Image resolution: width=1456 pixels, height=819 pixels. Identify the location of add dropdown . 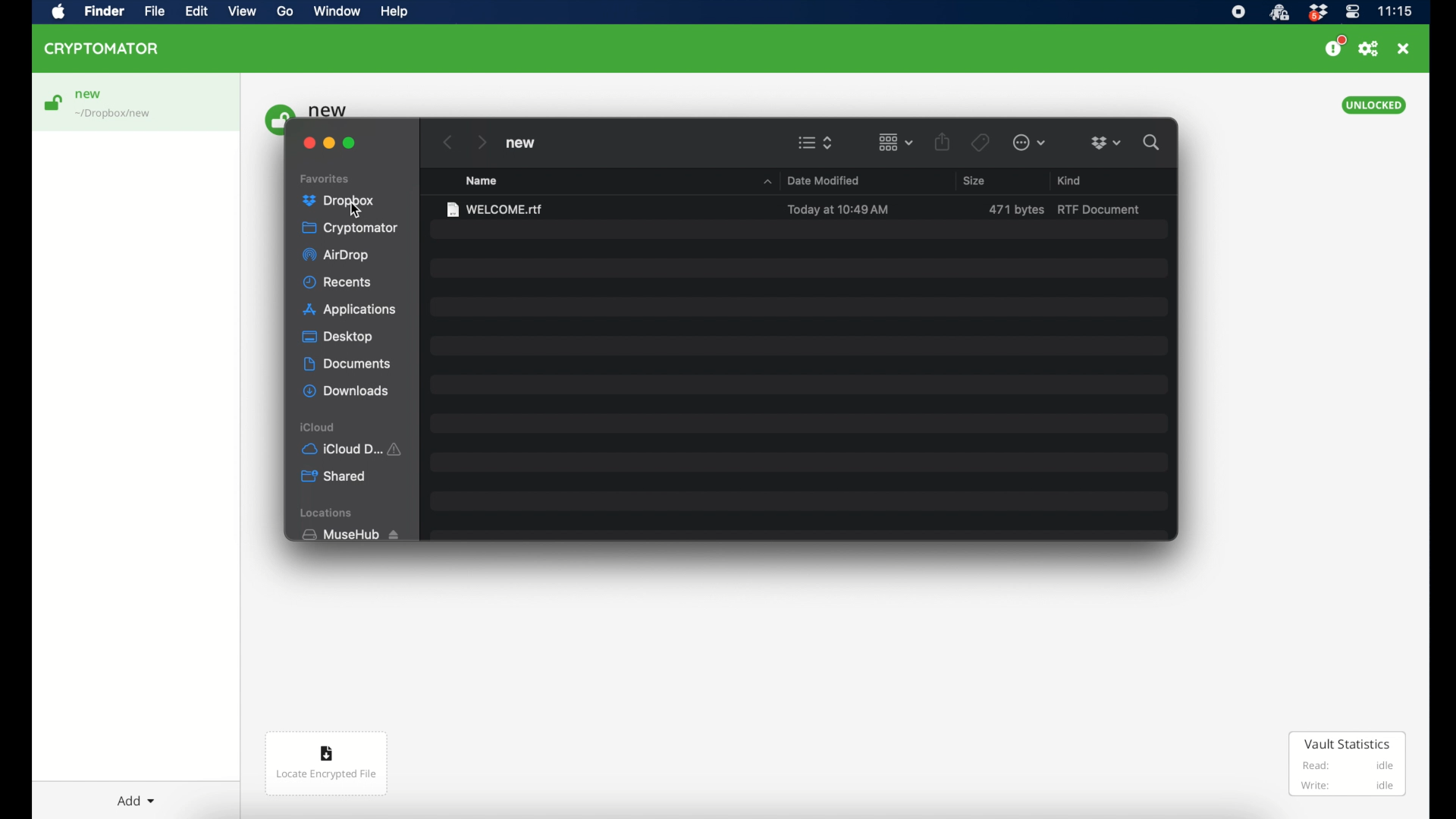
(136, 801).